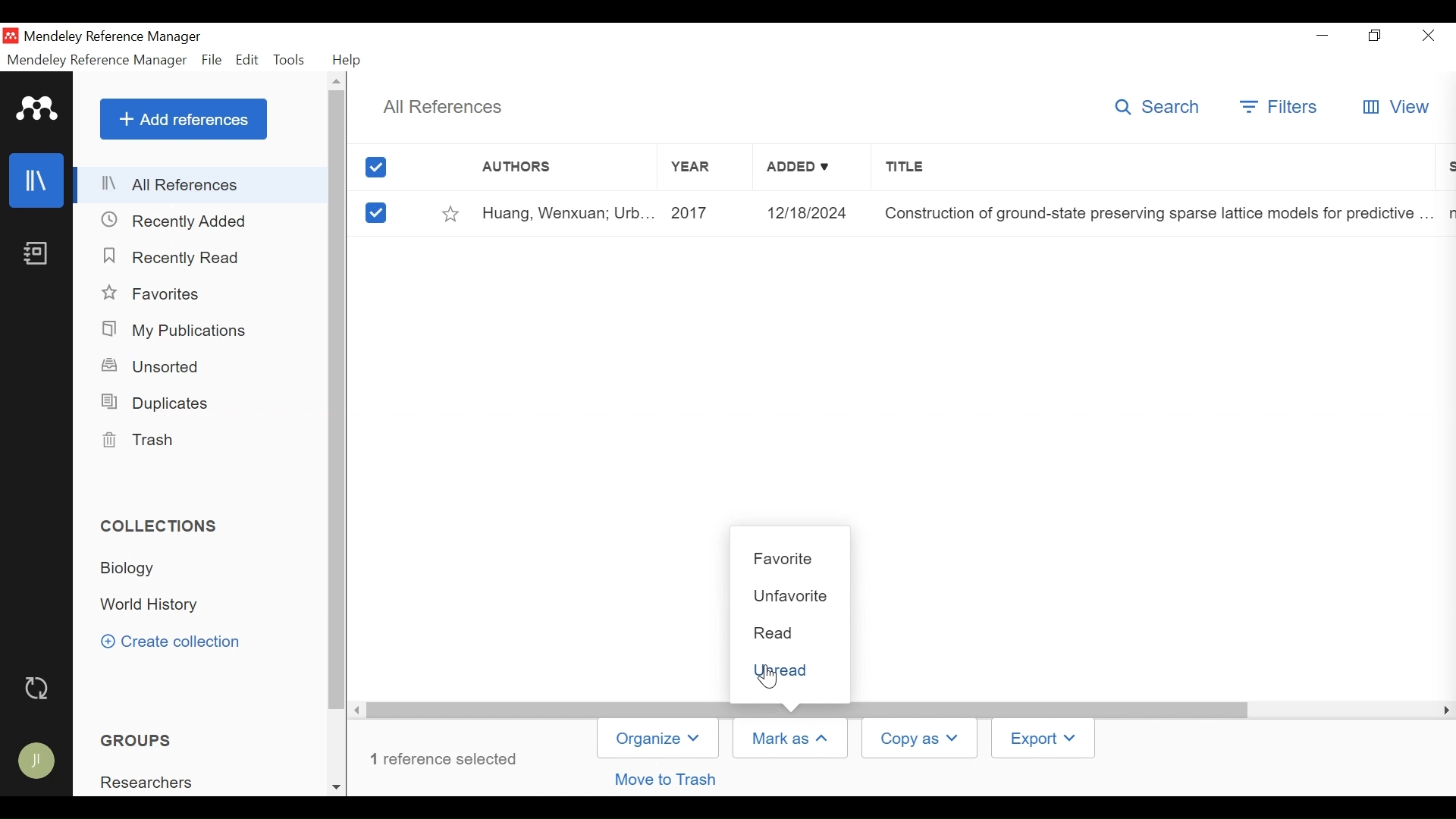  I want to click on Vertical Scroll bar, so click(808, 708).